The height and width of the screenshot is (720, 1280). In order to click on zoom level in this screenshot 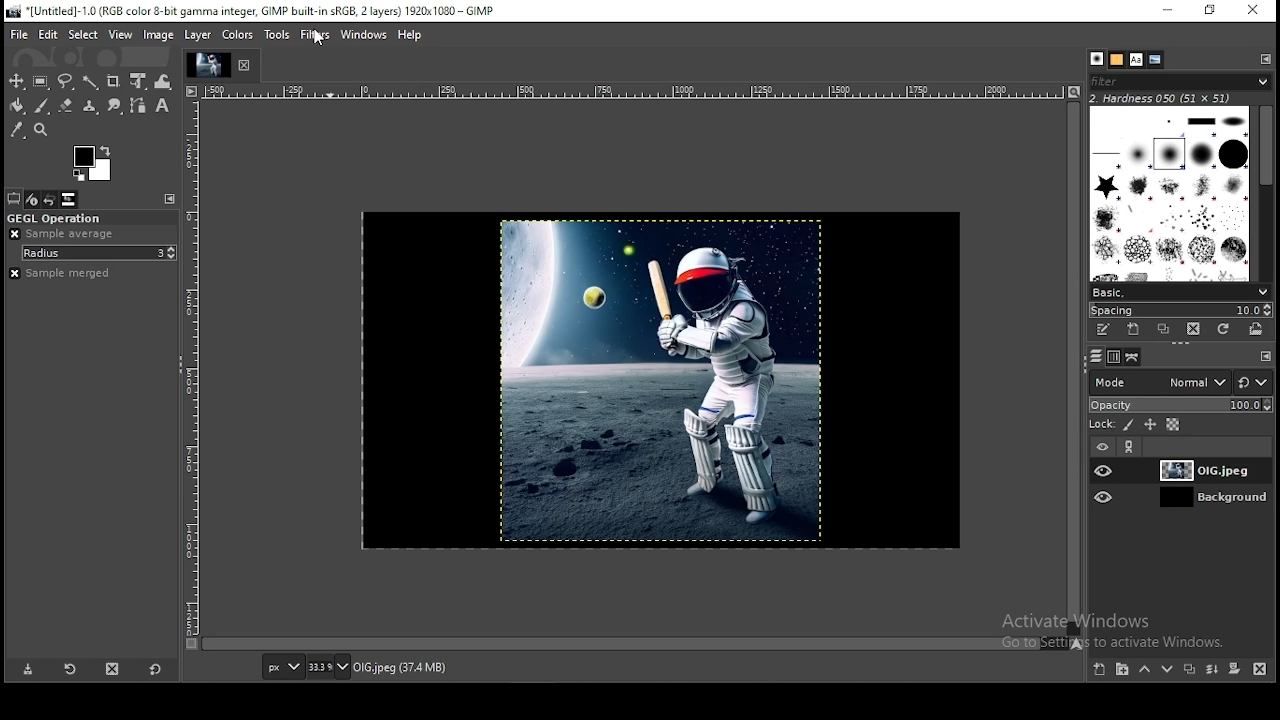, I will do `click(328, 668)`.